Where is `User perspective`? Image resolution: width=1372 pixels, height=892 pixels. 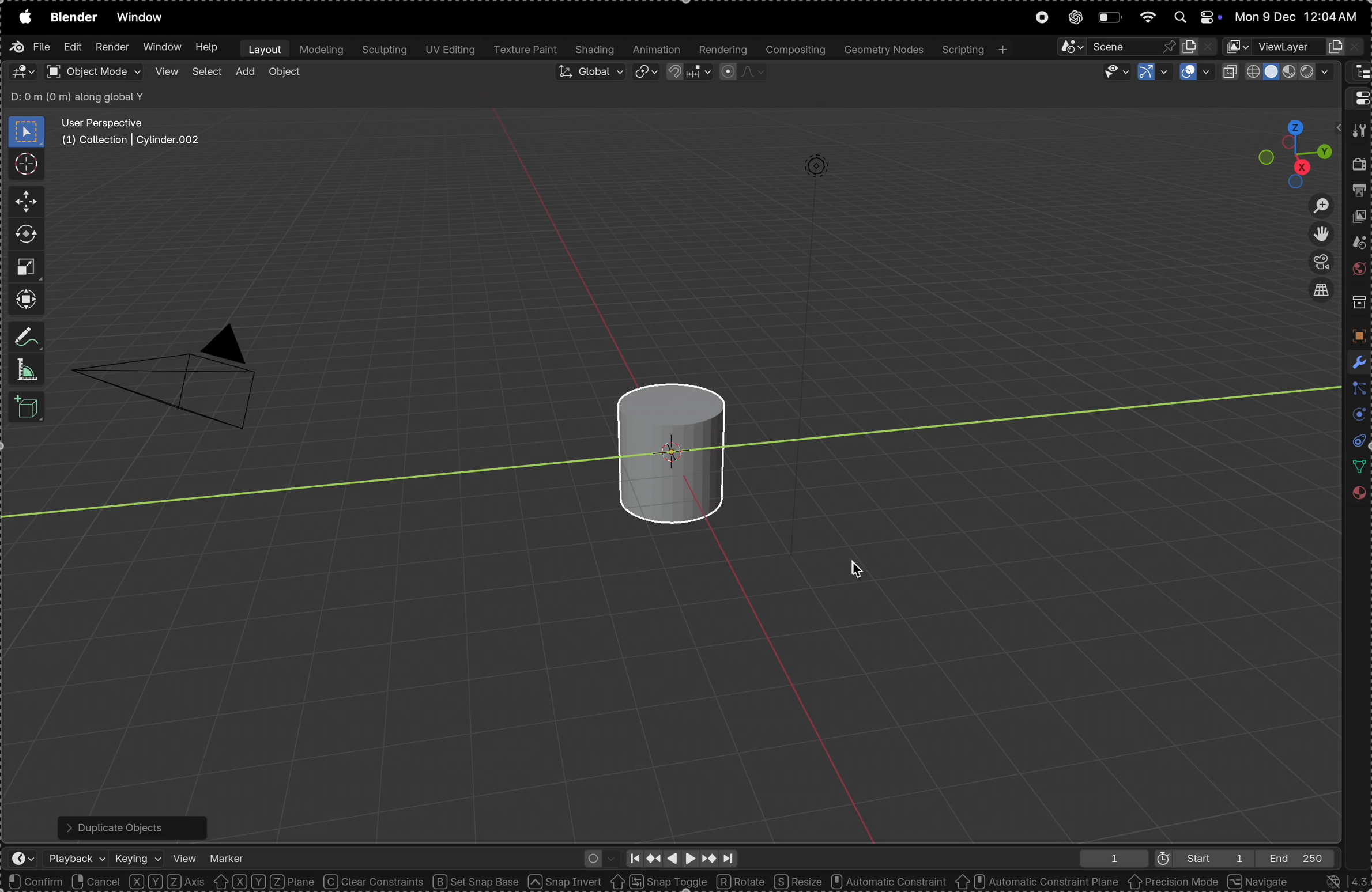
User perspective is located at coordinates (133, 132).